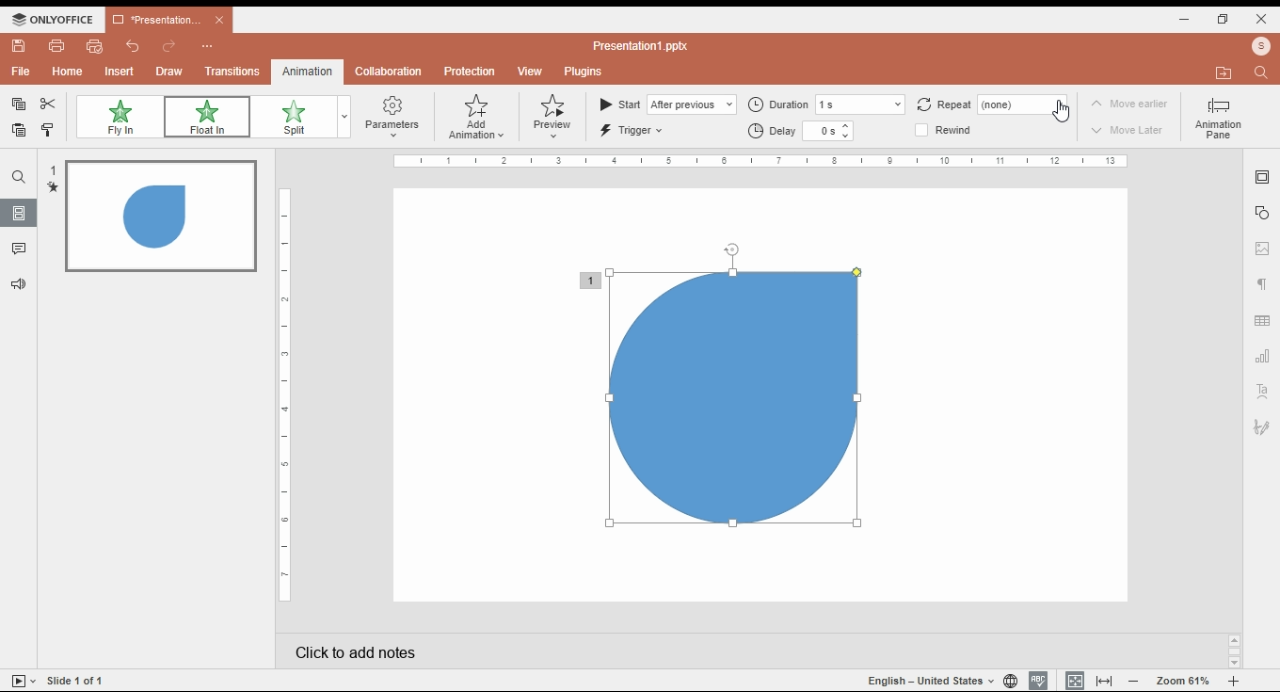  Describe the element at coordinates (634, 130) in the screenshot. I see `trigger` at that location.